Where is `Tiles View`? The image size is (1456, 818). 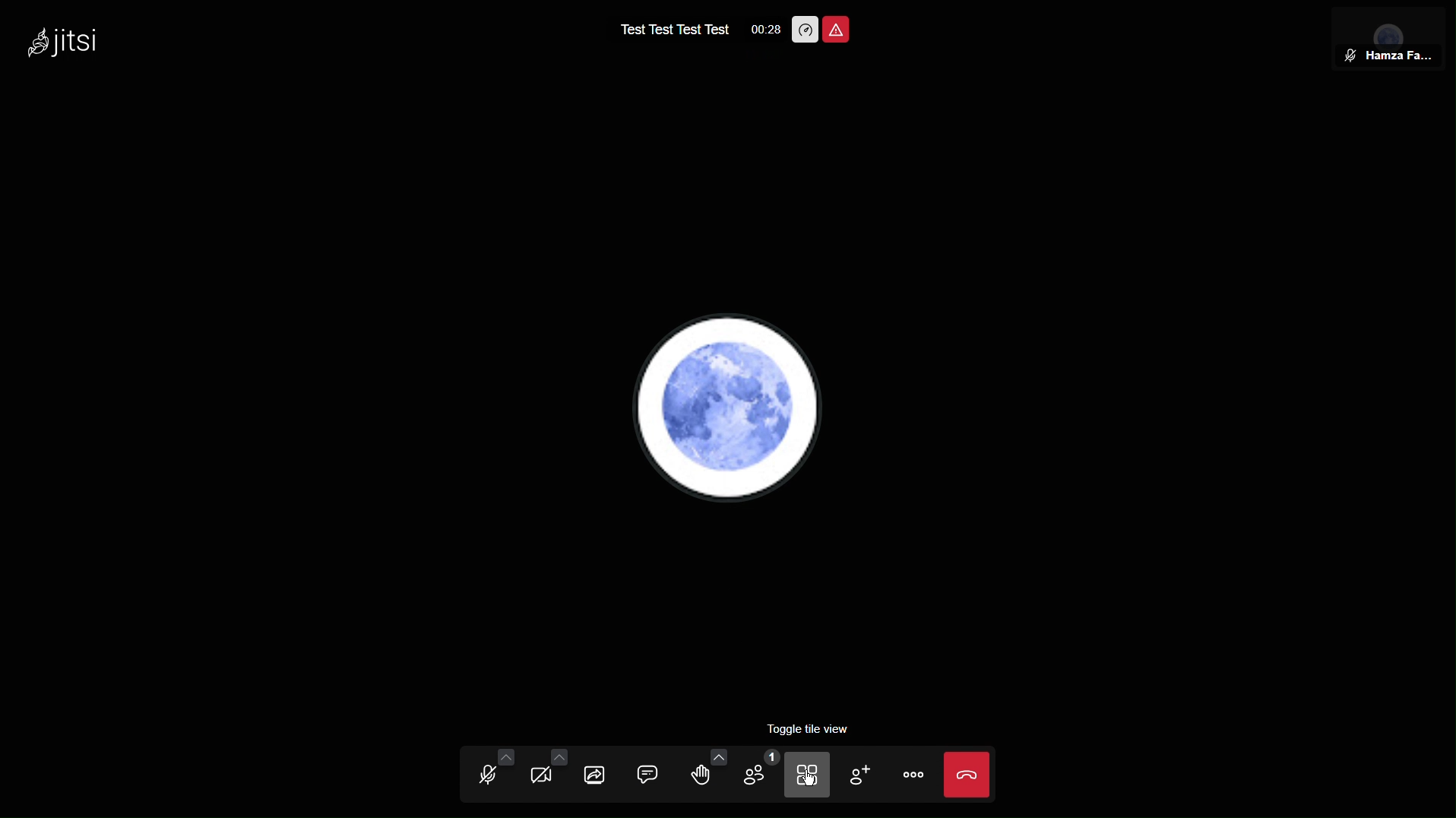 Tiles View is located at coordinates (810, 776).